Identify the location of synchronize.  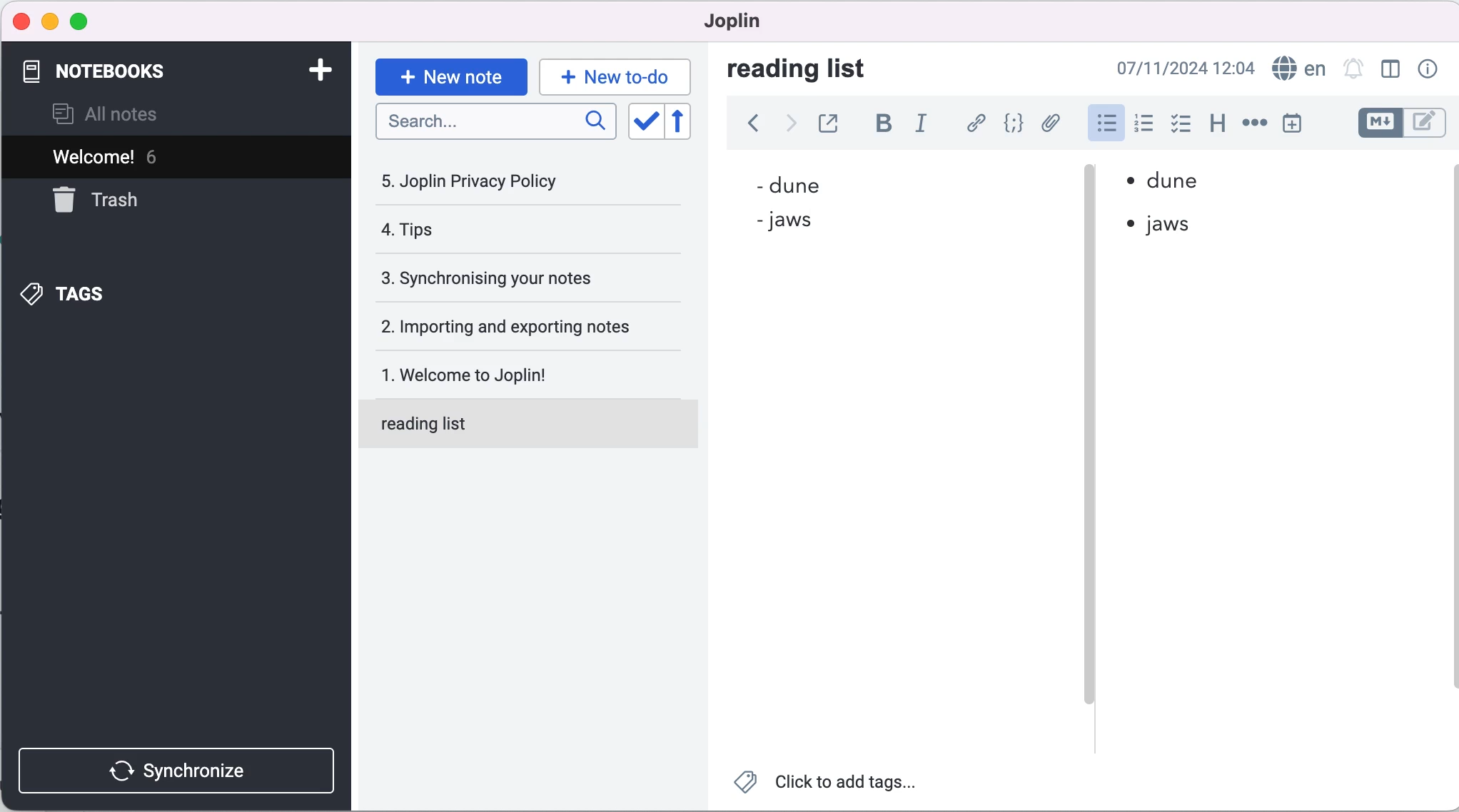
(175, 771).